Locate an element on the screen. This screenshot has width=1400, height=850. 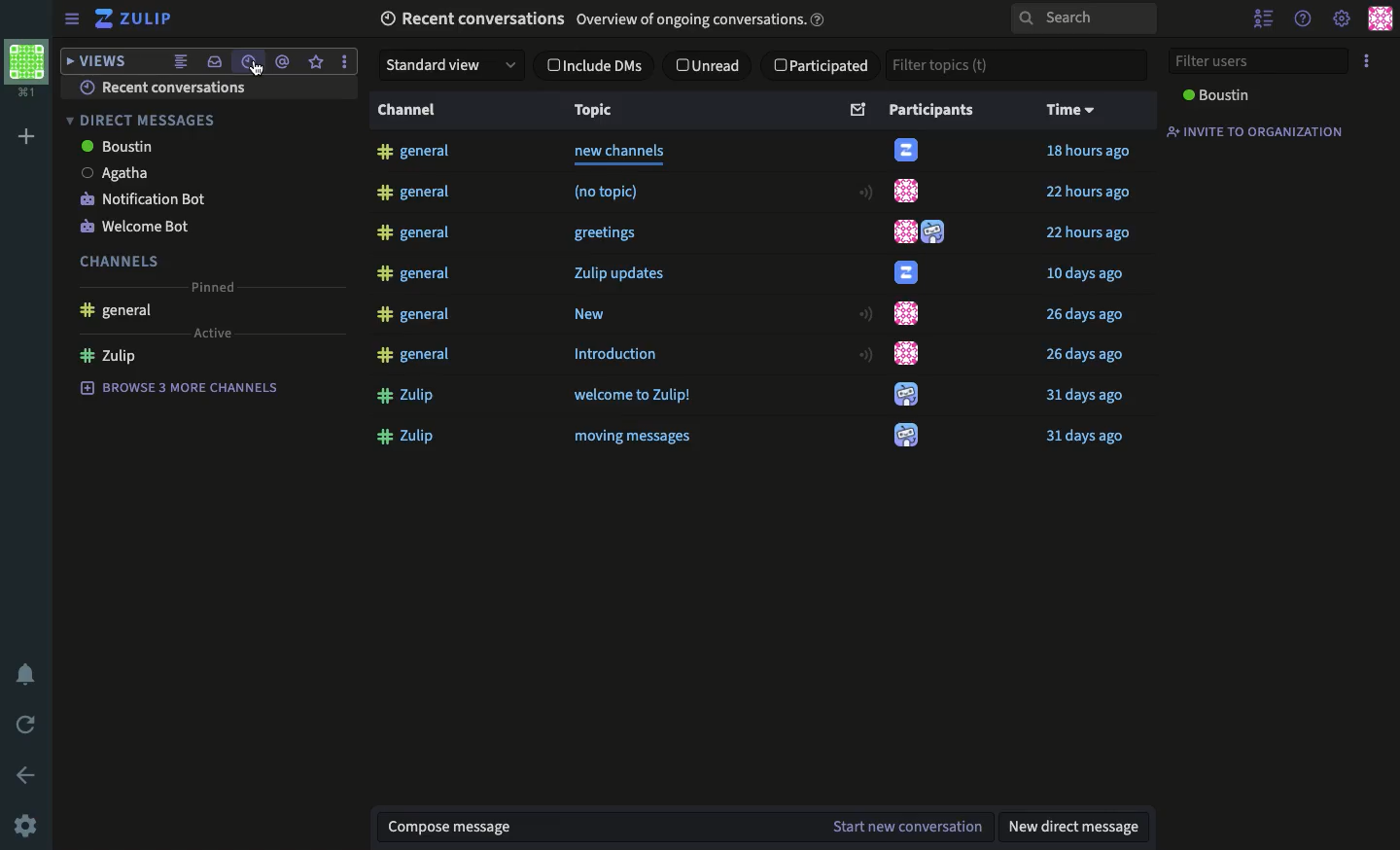
notification is located at coordinates (25, 673).